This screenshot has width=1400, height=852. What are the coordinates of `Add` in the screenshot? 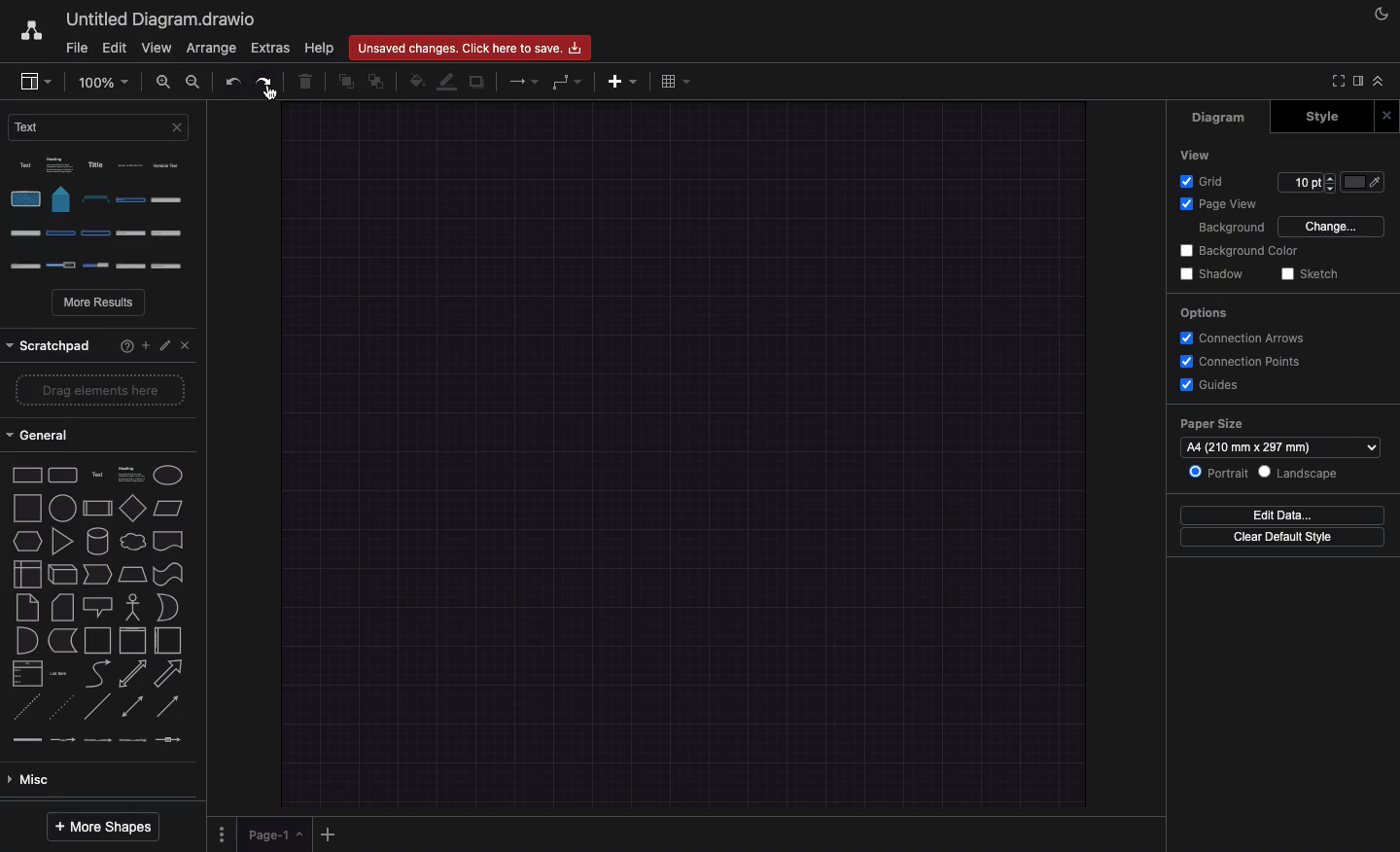 It's located at (331, 834).